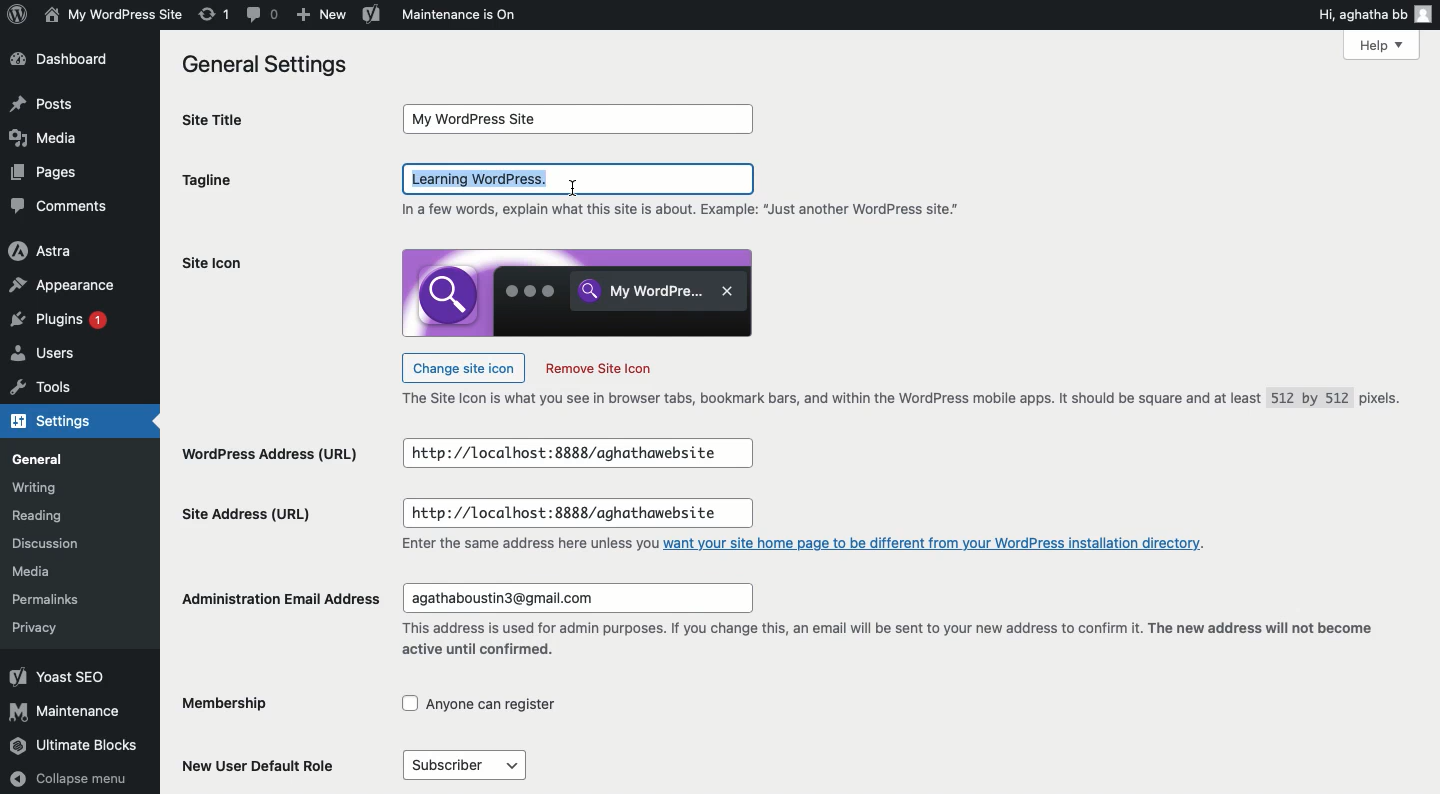 The width and height of the screenshot is (1440, 794). Describe the element at coordinates (62, 423) in the screenshot. I see `Settings` at that location.